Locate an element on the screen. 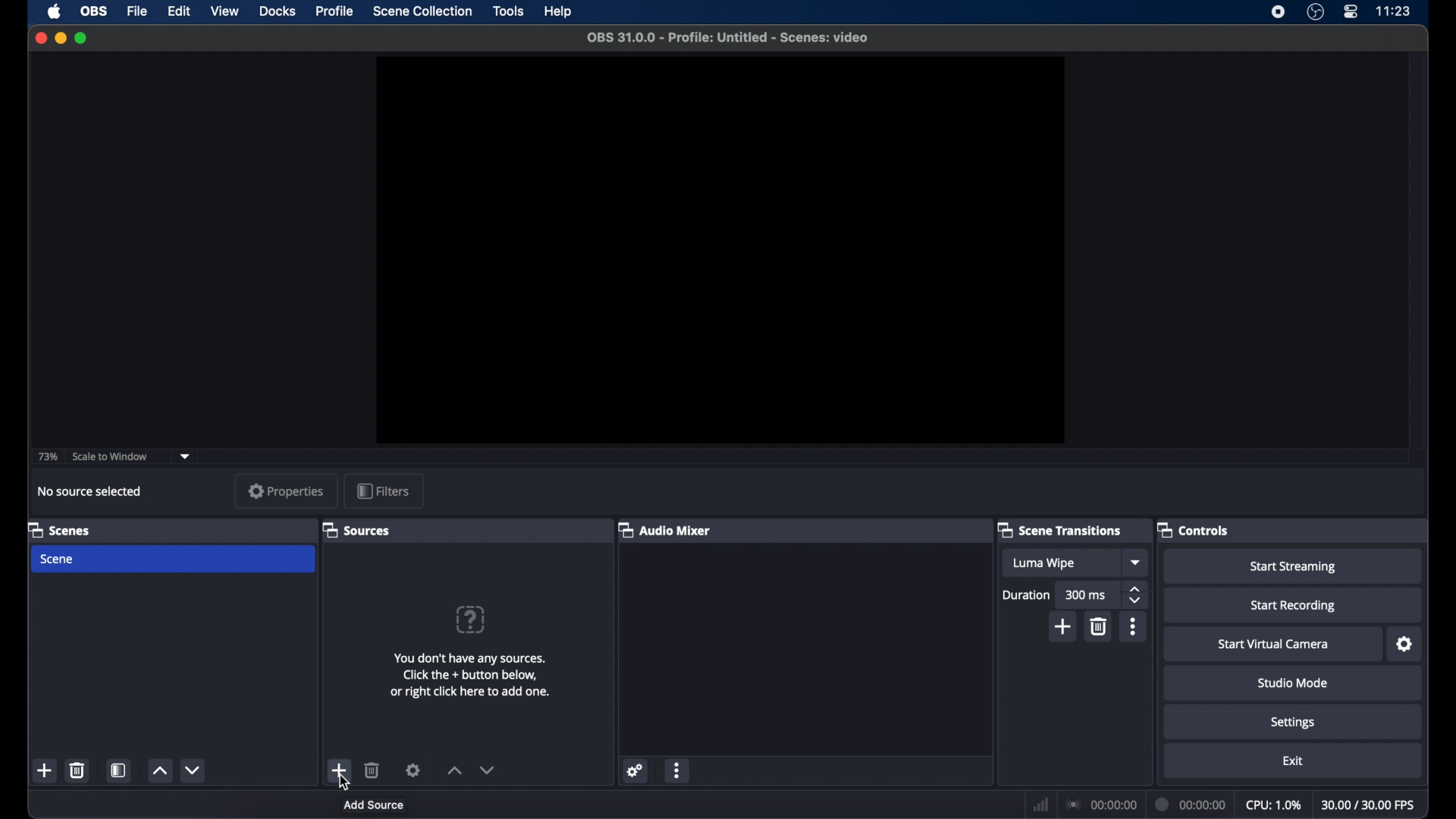 This screenshot has width=1456, height=819. scene collection is located at coordinates (422, 11).